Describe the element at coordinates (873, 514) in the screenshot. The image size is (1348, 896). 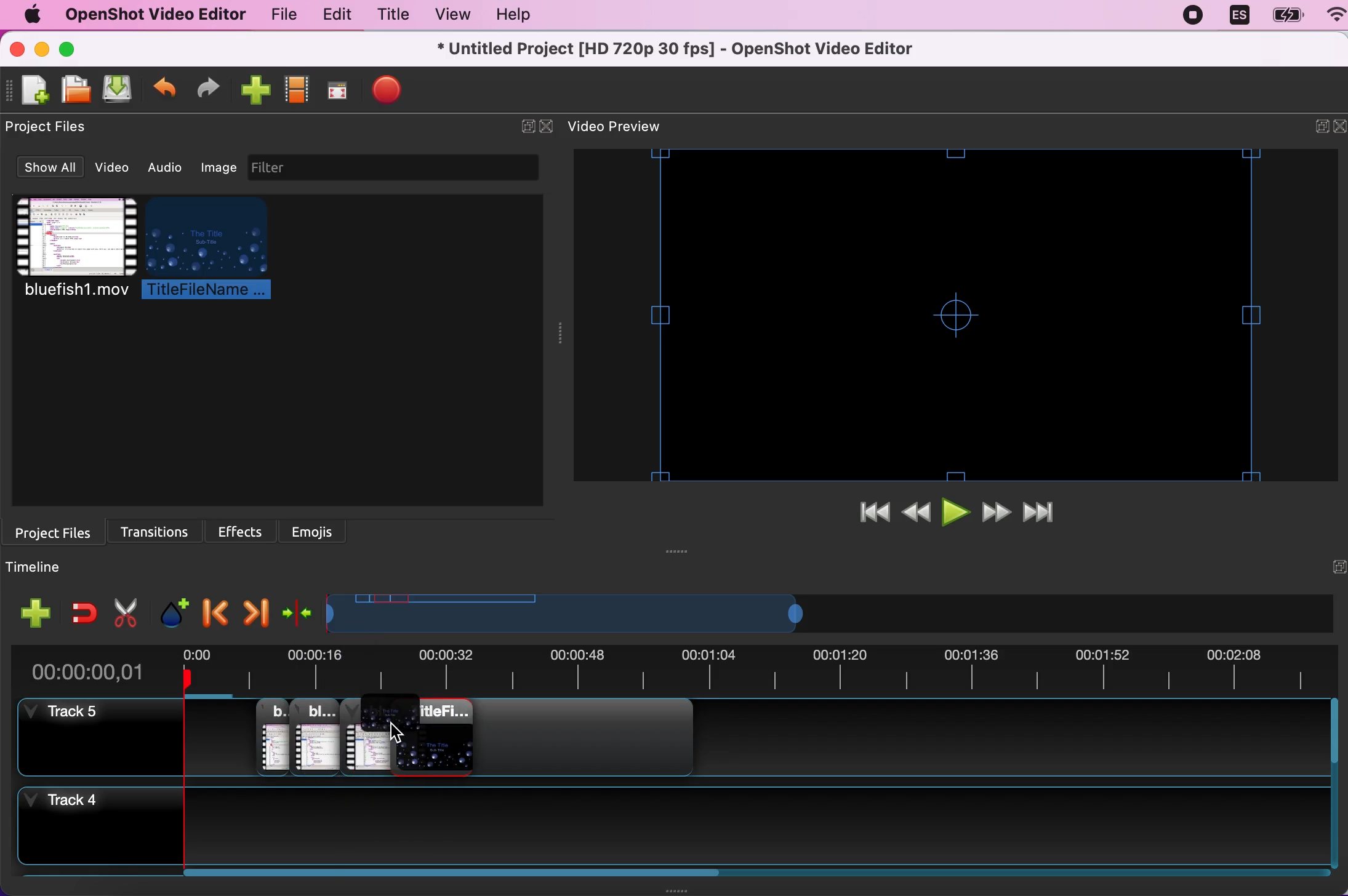
I see `jump to start` at that location.